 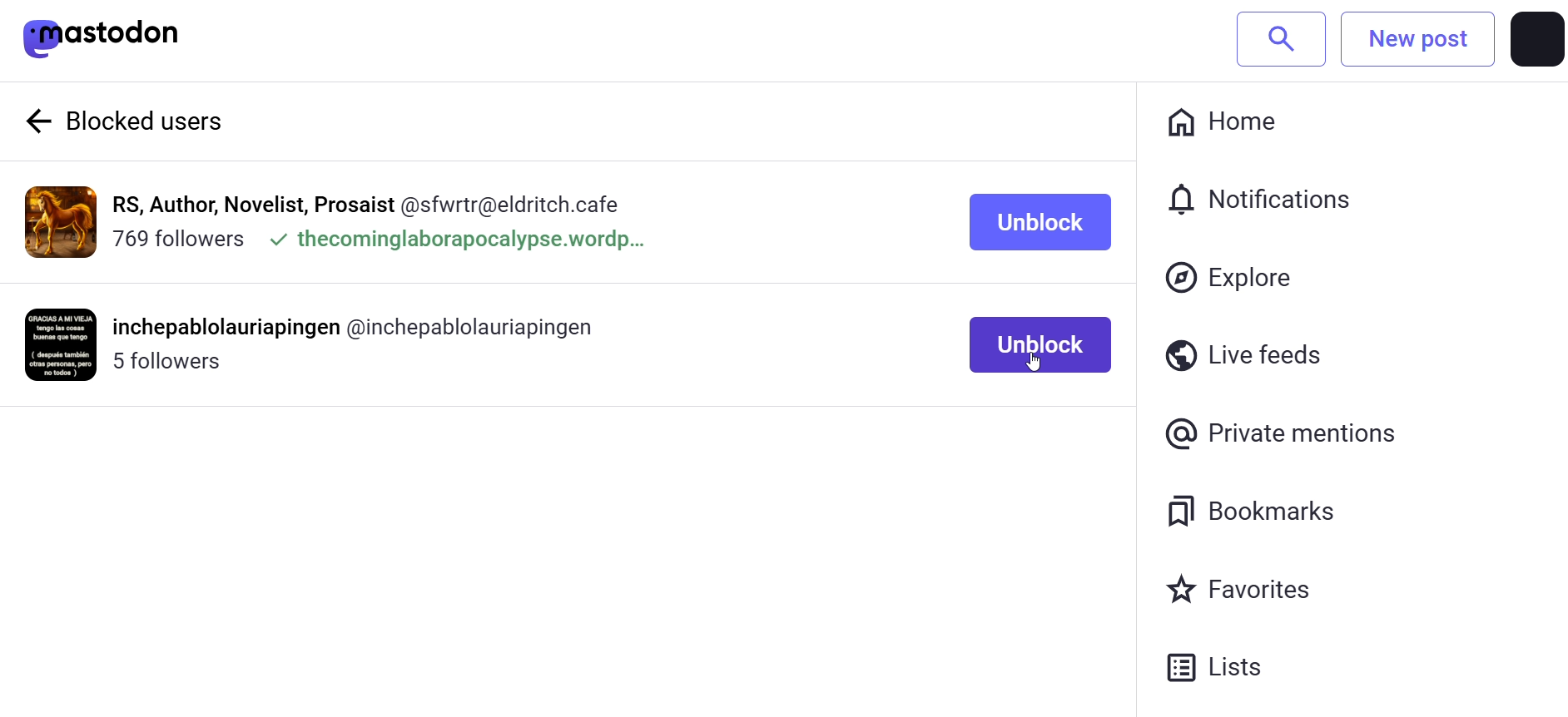 I want to click on favorites, so click(x=1244, y=590).